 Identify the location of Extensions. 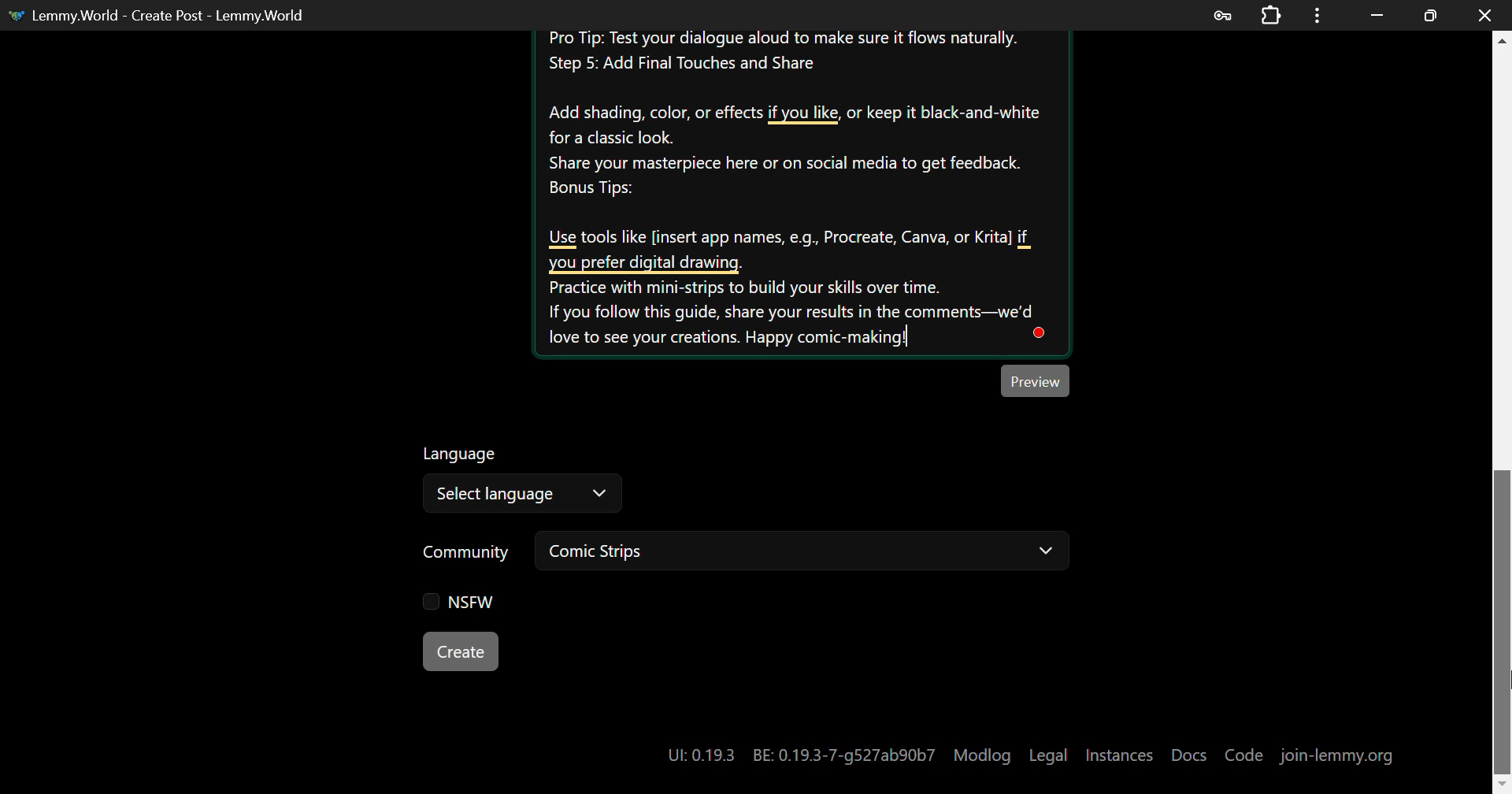
(1274, 14).